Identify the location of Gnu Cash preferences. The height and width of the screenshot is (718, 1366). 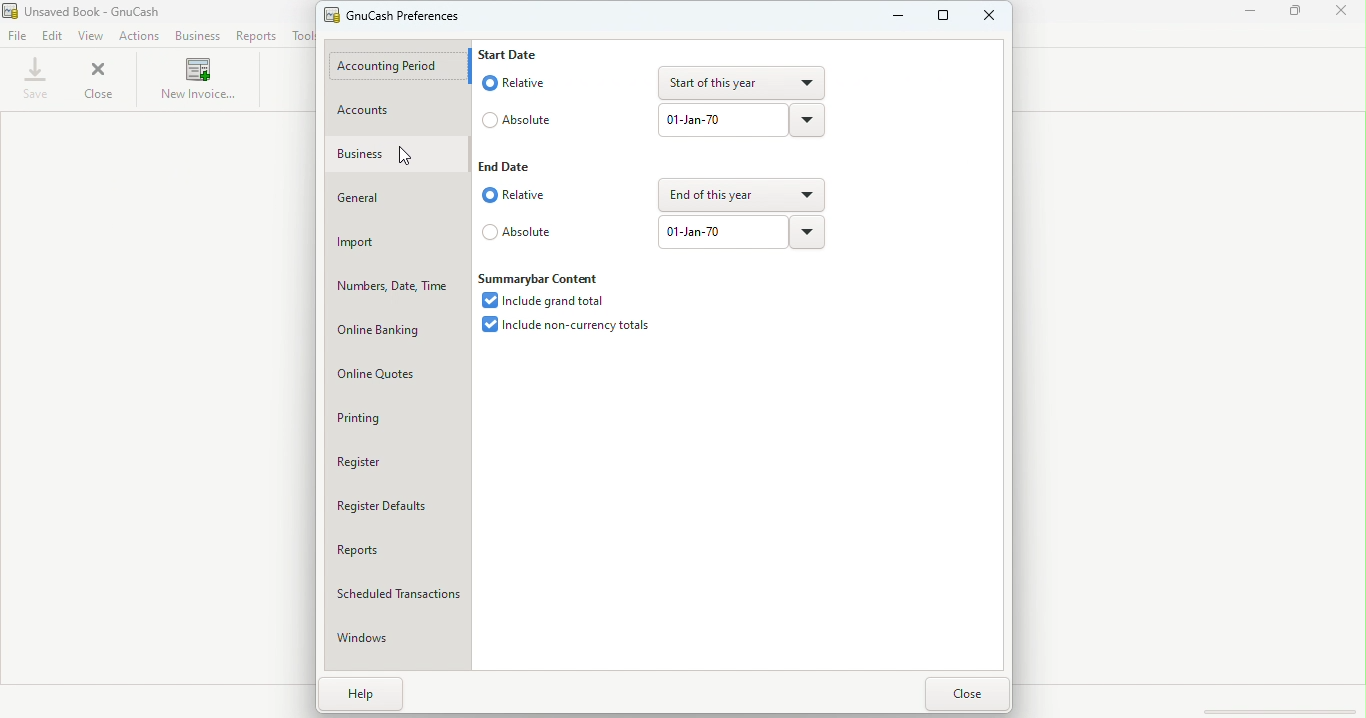
(391, 17).